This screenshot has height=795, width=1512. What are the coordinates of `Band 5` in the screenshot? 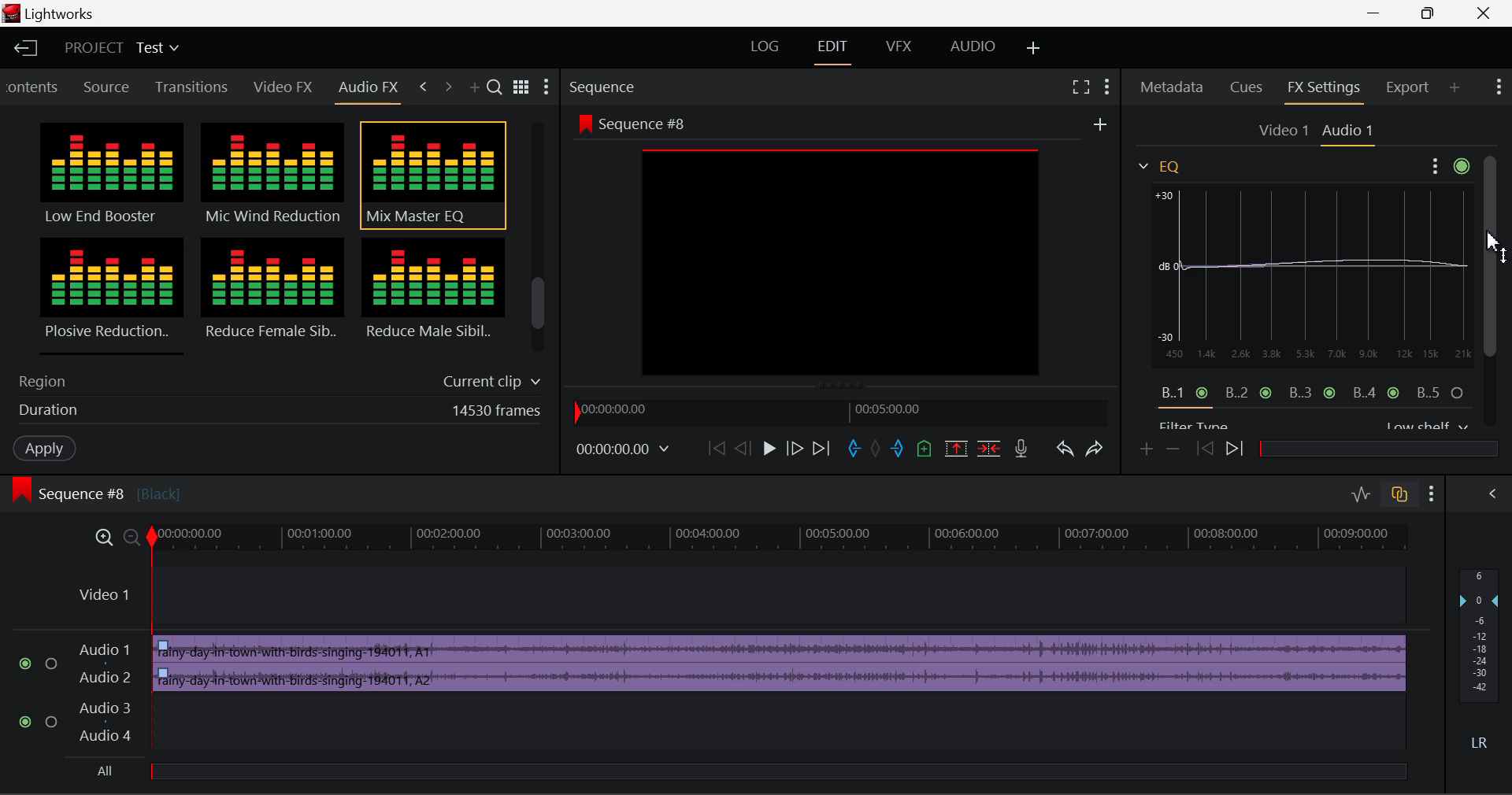 It's located at (1443, 390).